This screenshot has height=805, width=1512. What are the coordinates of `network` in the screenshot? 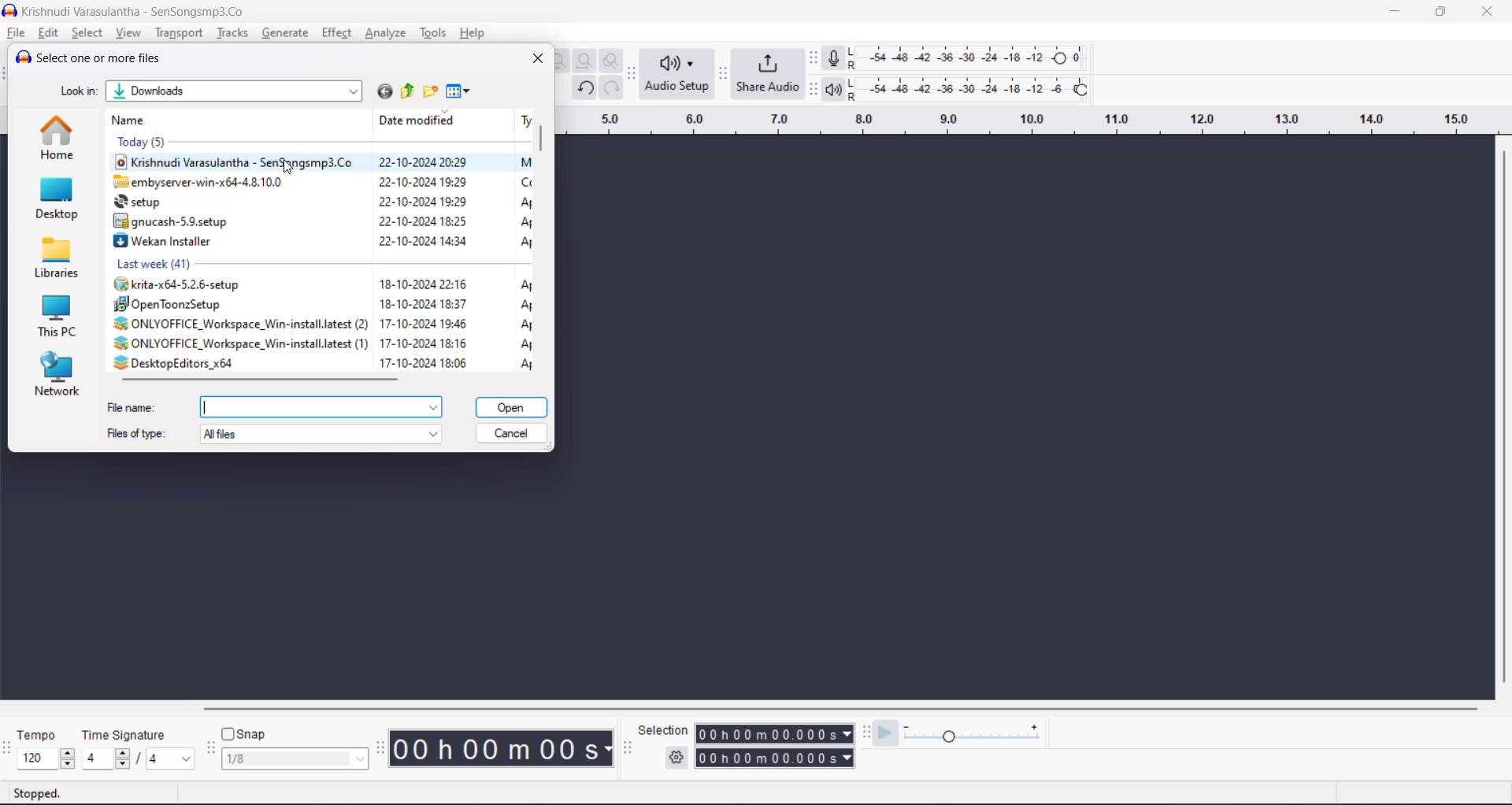 It's located at (63, 375).